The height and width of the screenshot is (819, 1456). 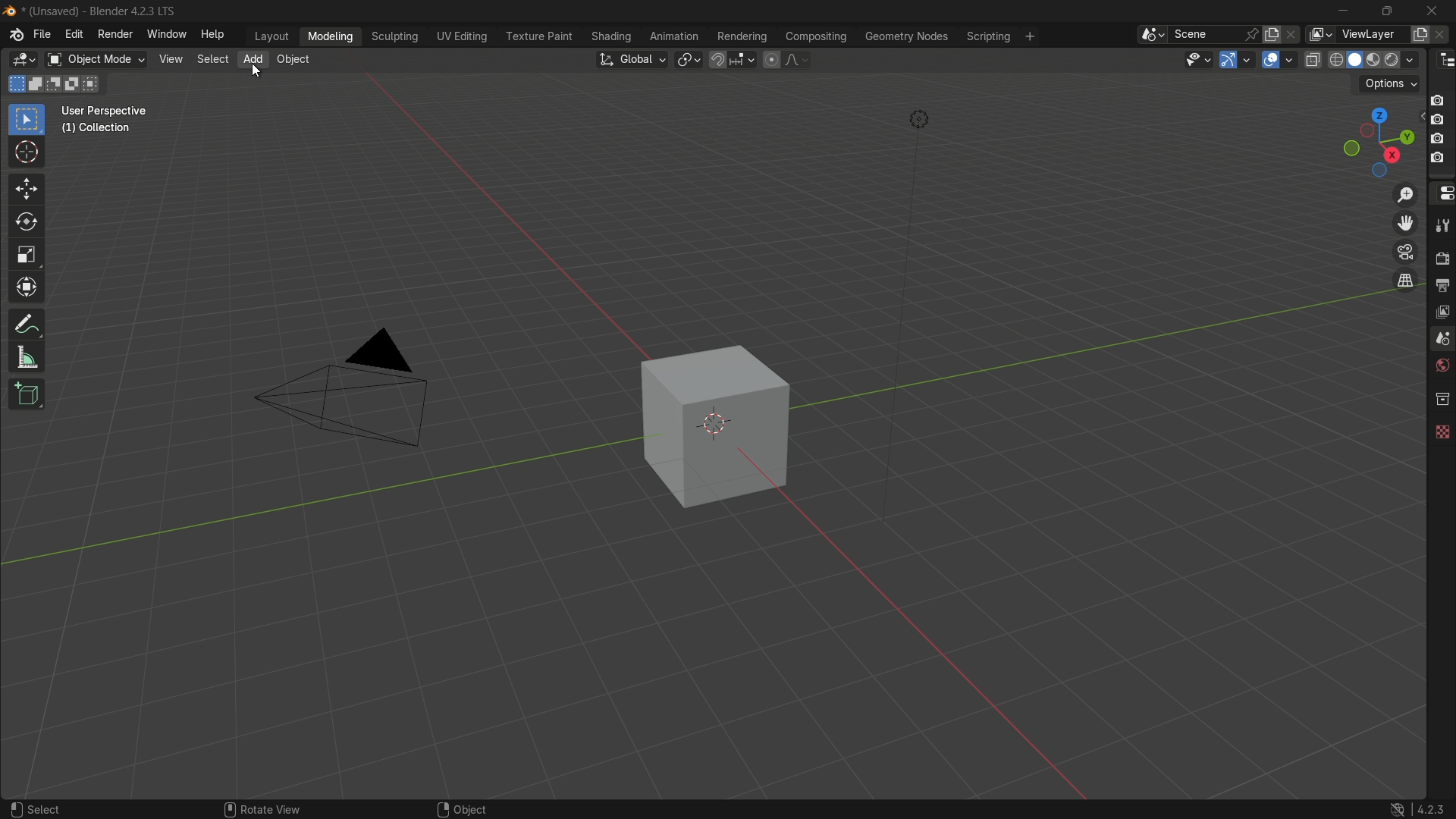 I want to click on maximize or restore, so click(x=1389, y=12).